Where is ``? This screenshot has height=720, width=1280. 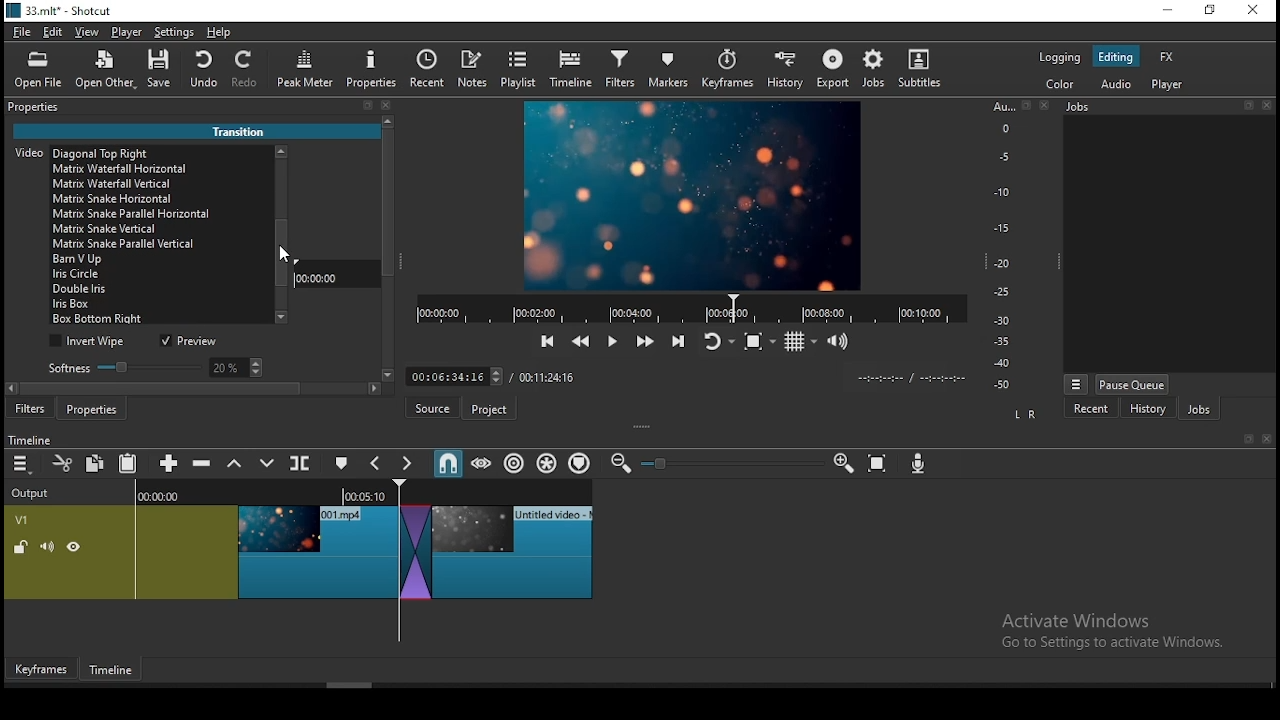
 is located at coordinates (680, 375).